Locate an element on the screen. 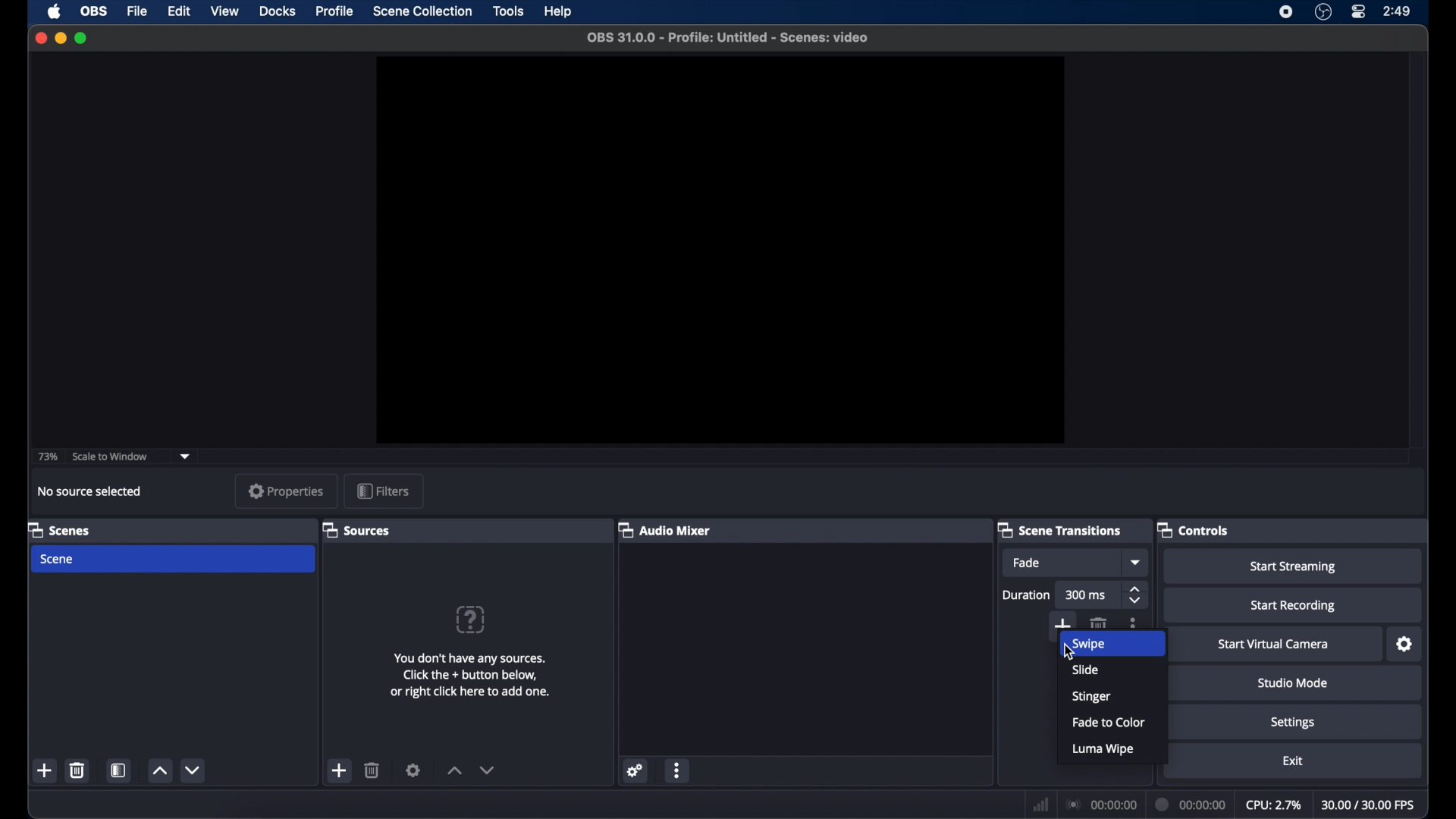 This screenshot has height=819, width=1456. cursor is located at coordinates (1066, 652).